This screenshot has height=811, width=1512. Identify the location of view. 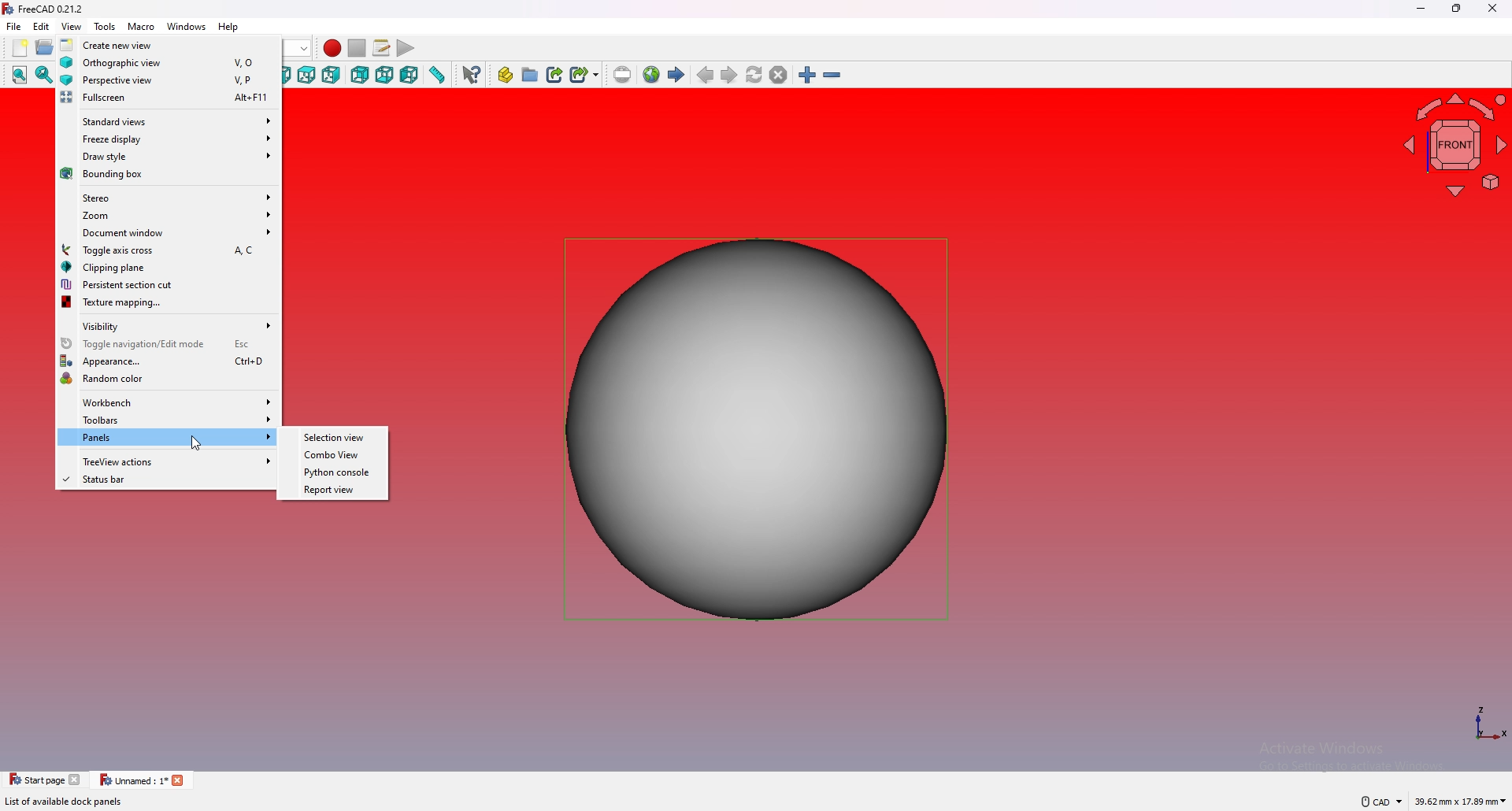
(71, 27).